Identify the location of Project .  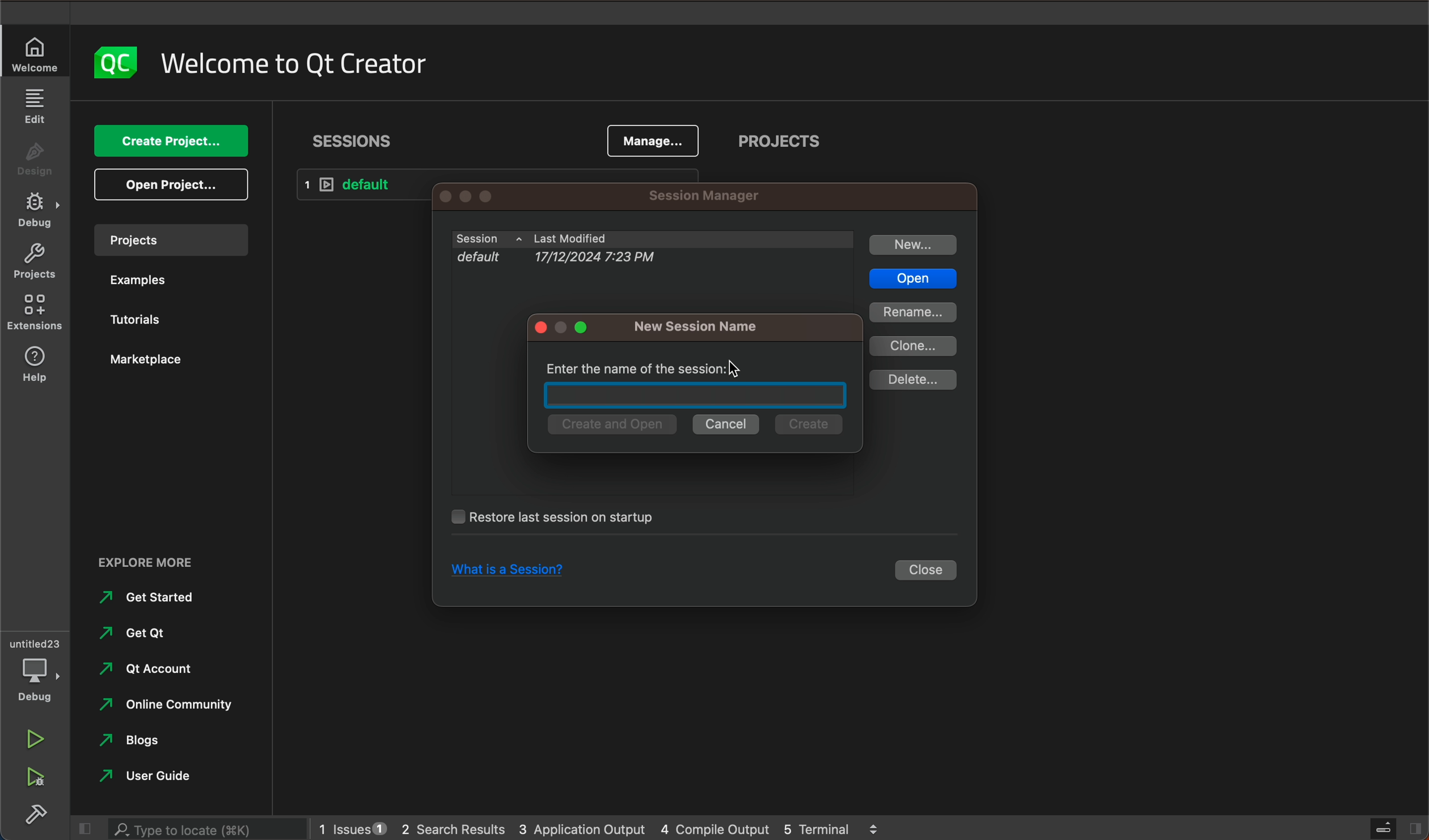
(34, 264).